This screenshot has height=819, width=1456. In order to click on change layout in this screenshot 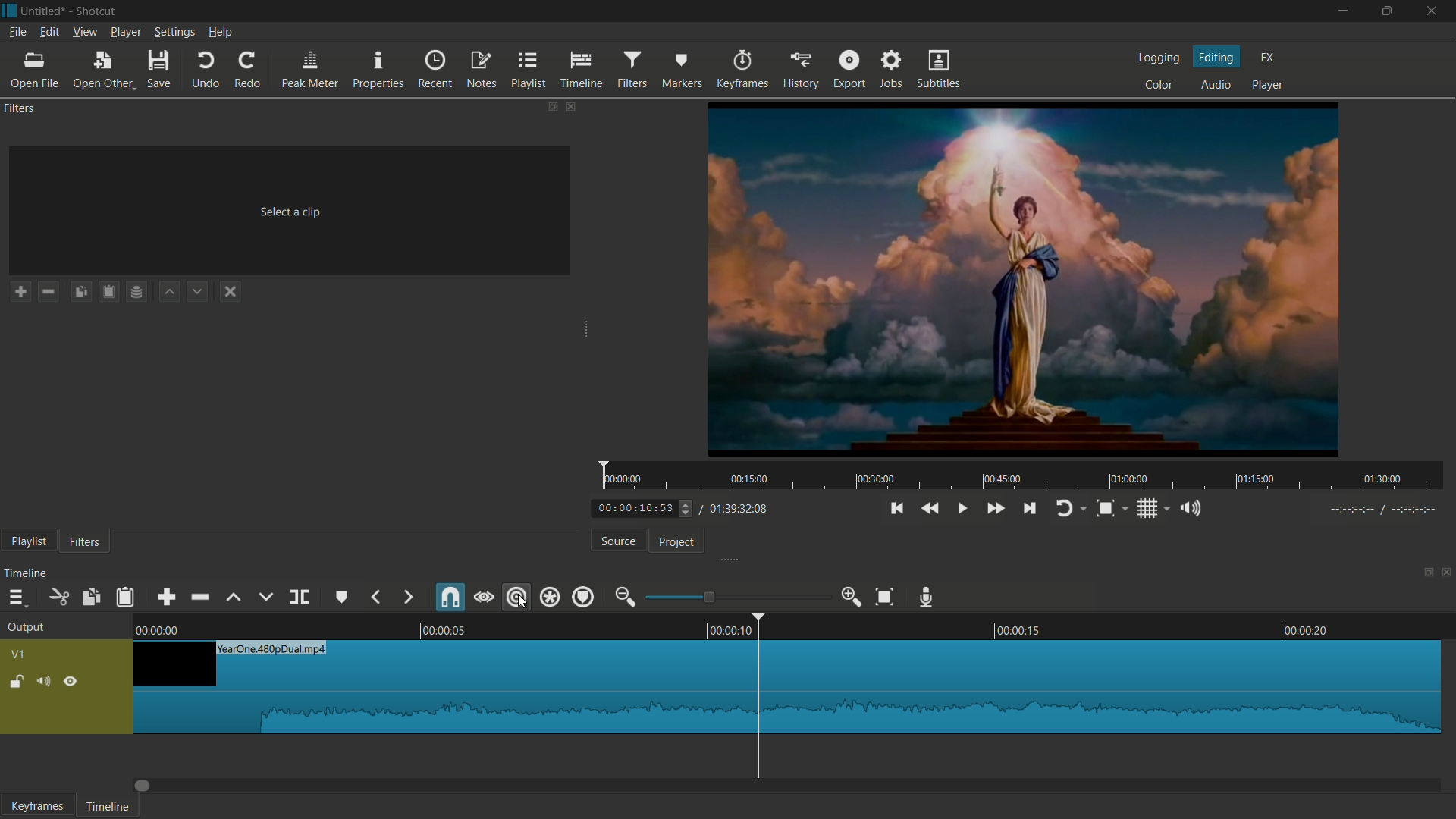, I will do `click(550, 107)`.